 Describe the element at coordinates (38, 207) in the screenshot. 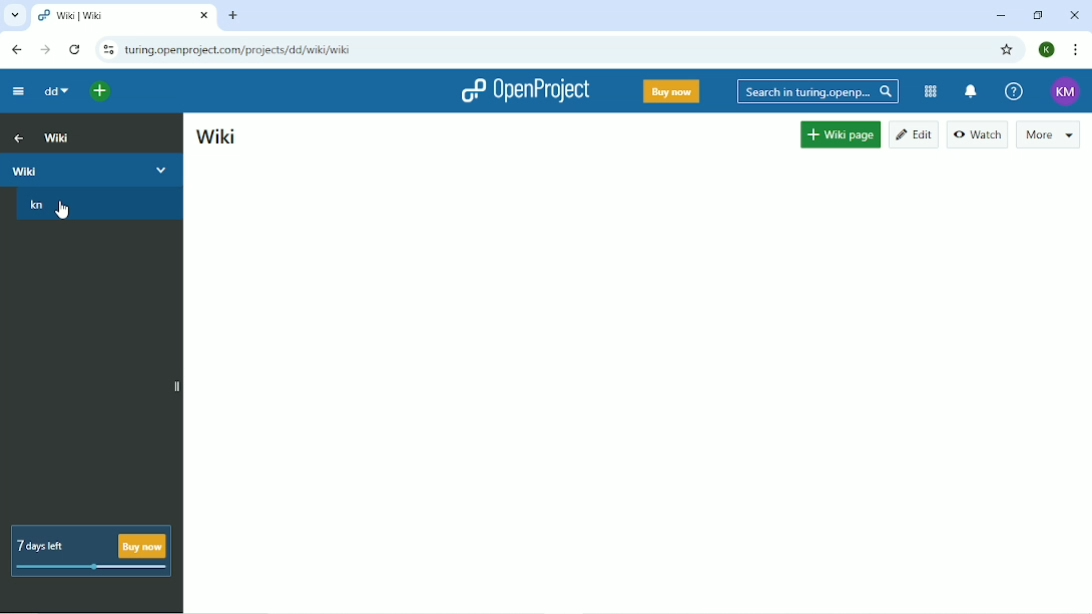

I see `kn` at that location.